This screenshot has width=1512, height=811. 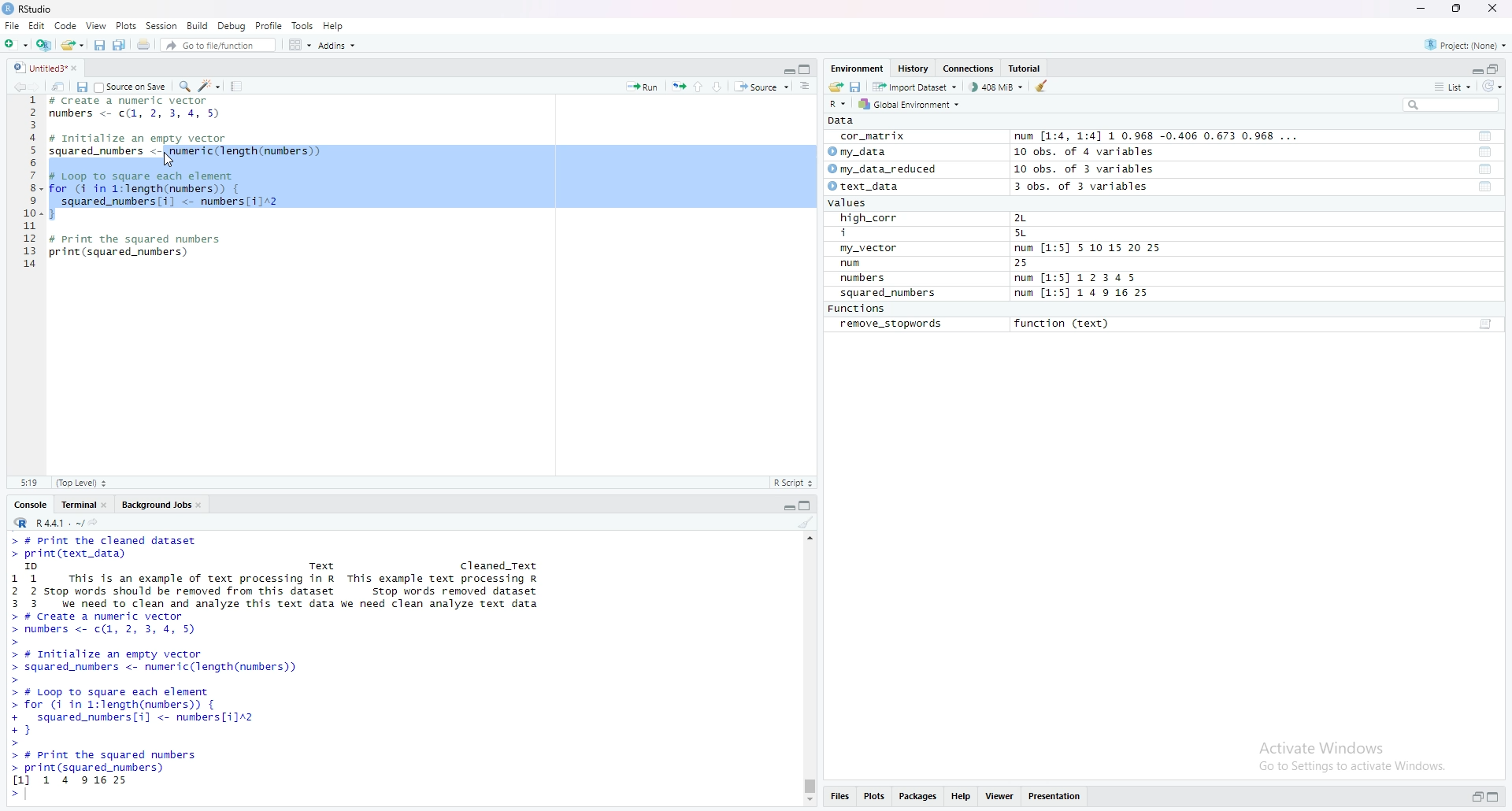 I want to click on Addins, so click(x=336, y=45).